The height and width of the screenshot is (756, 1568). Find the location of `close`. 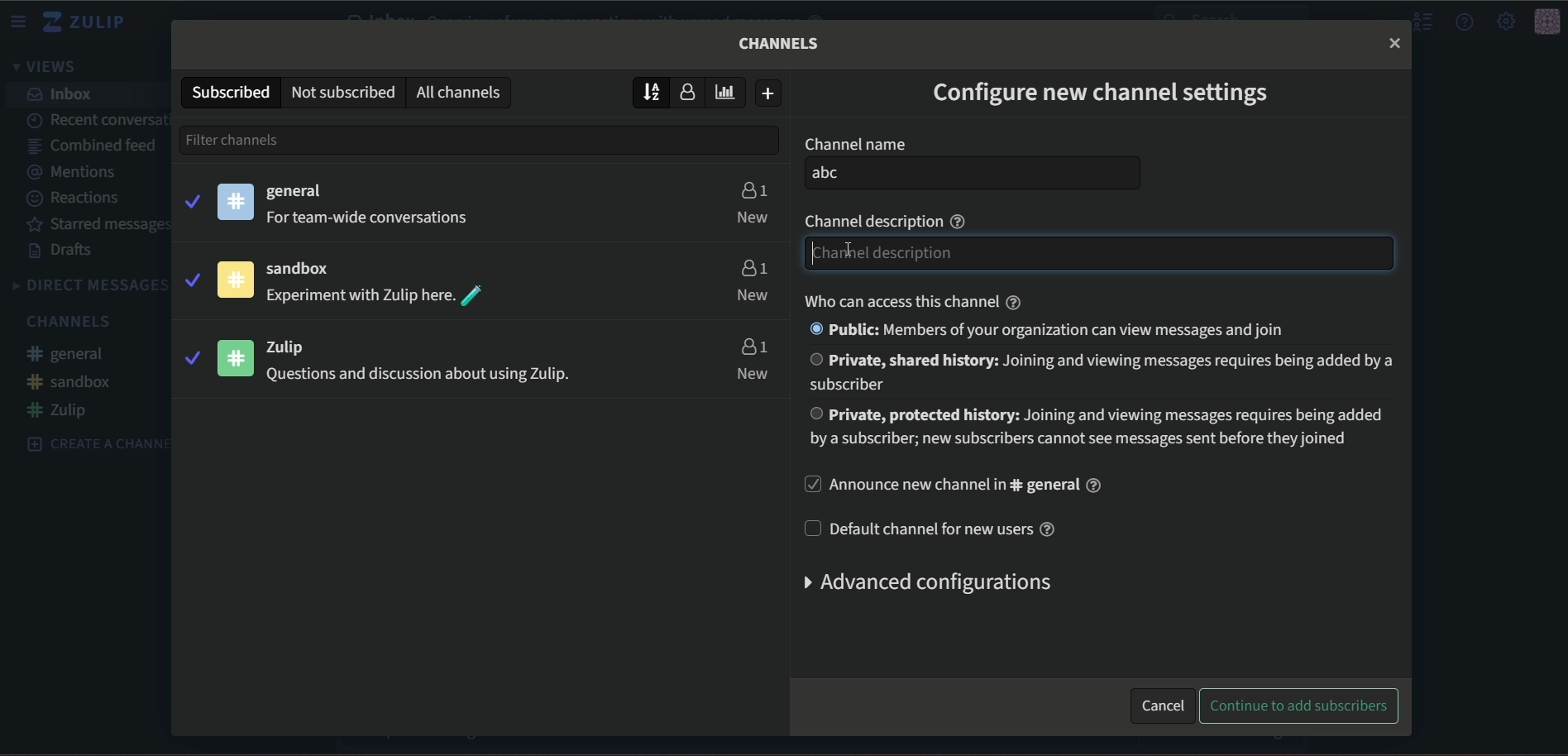

close is located at coordinates (1394, 42).